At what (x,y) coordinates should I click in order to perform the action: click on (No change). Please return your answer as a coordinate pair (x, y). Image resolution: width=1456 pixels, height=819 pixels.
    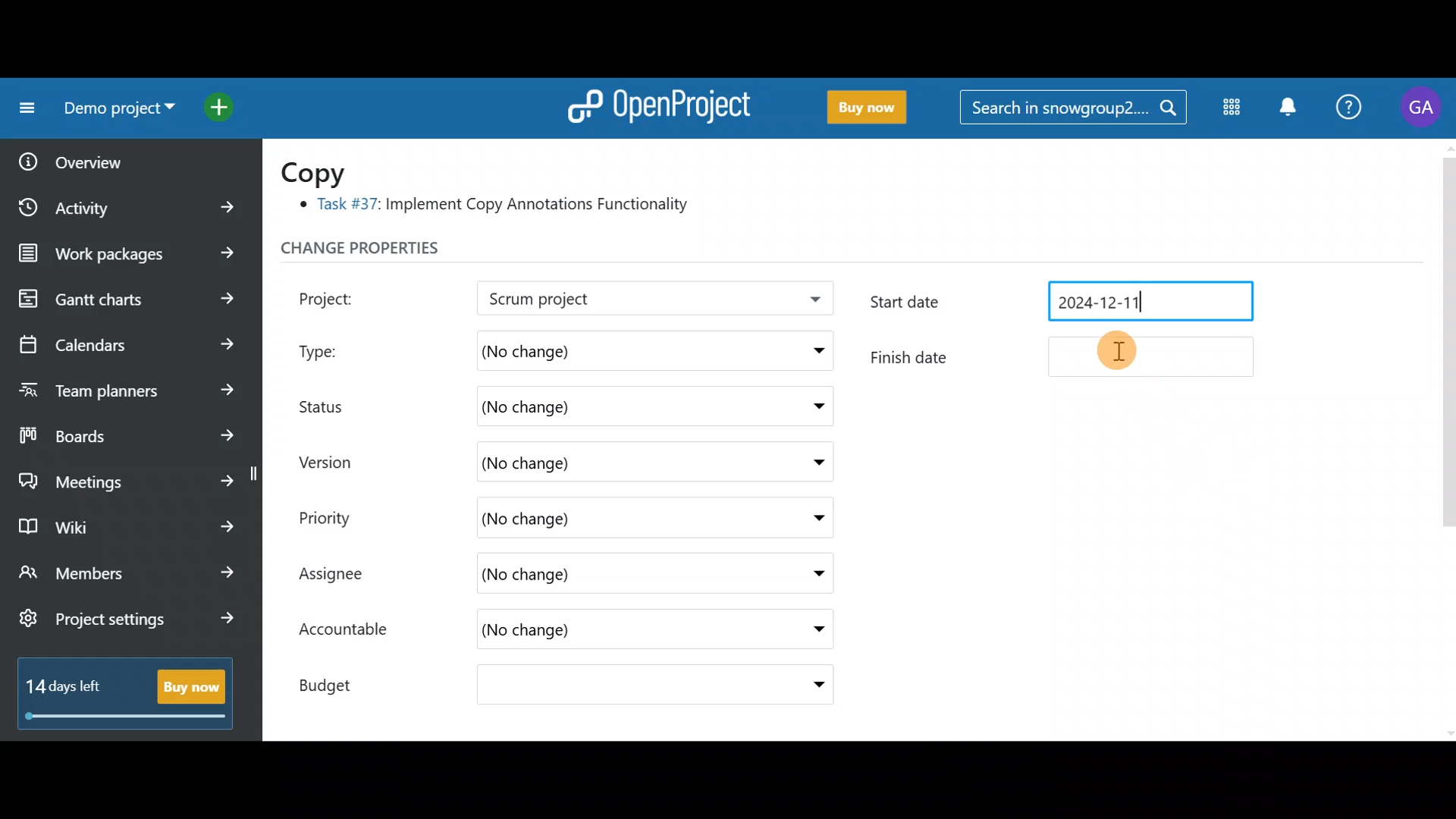
    Looking at the image, I should click on (584, 407).